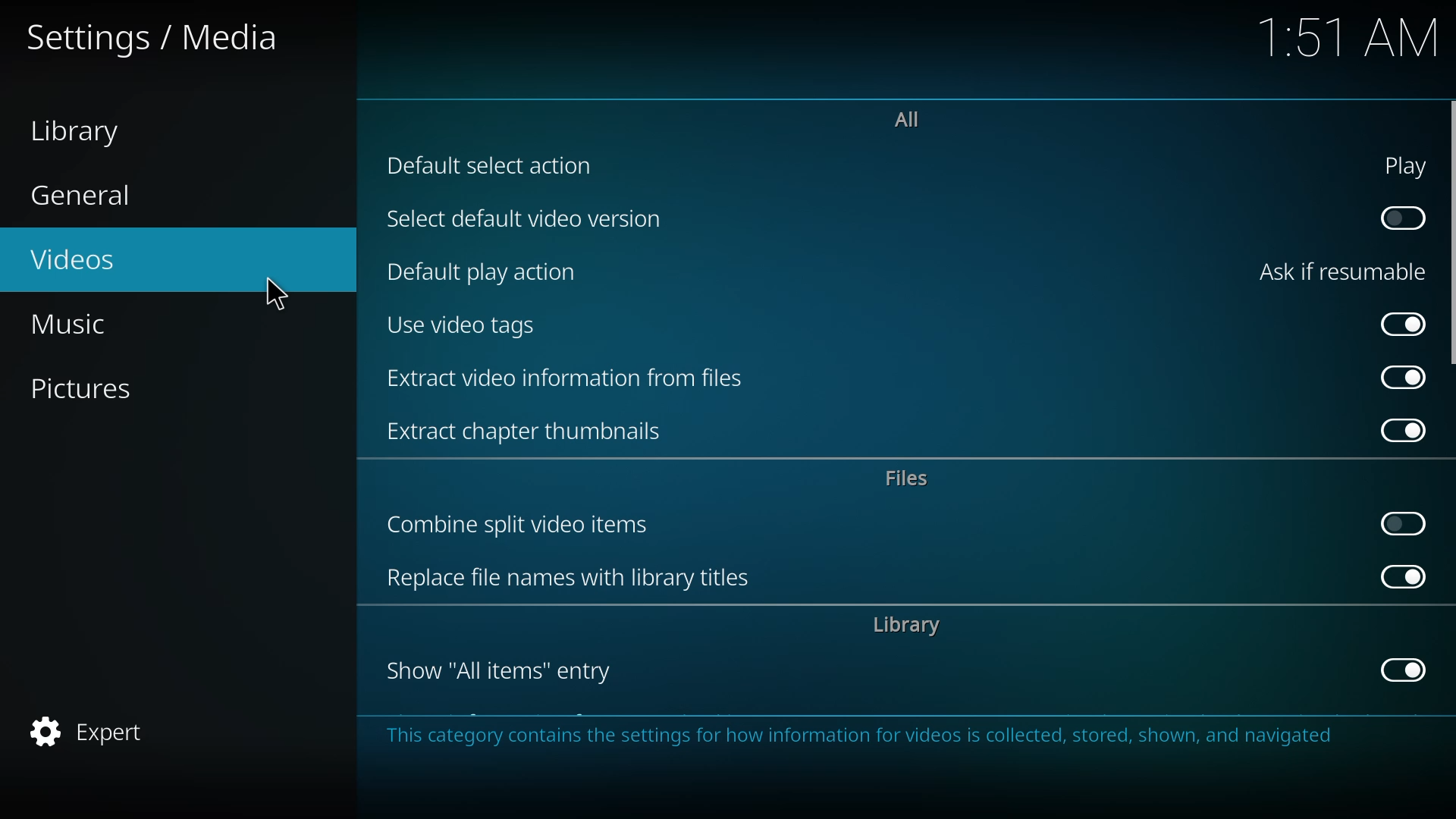 This screenshot has width=1456, height=819. What do you see at coordinates (1397, 166) in the screenshot?
I see `play` at bounding box center [1397, 166].